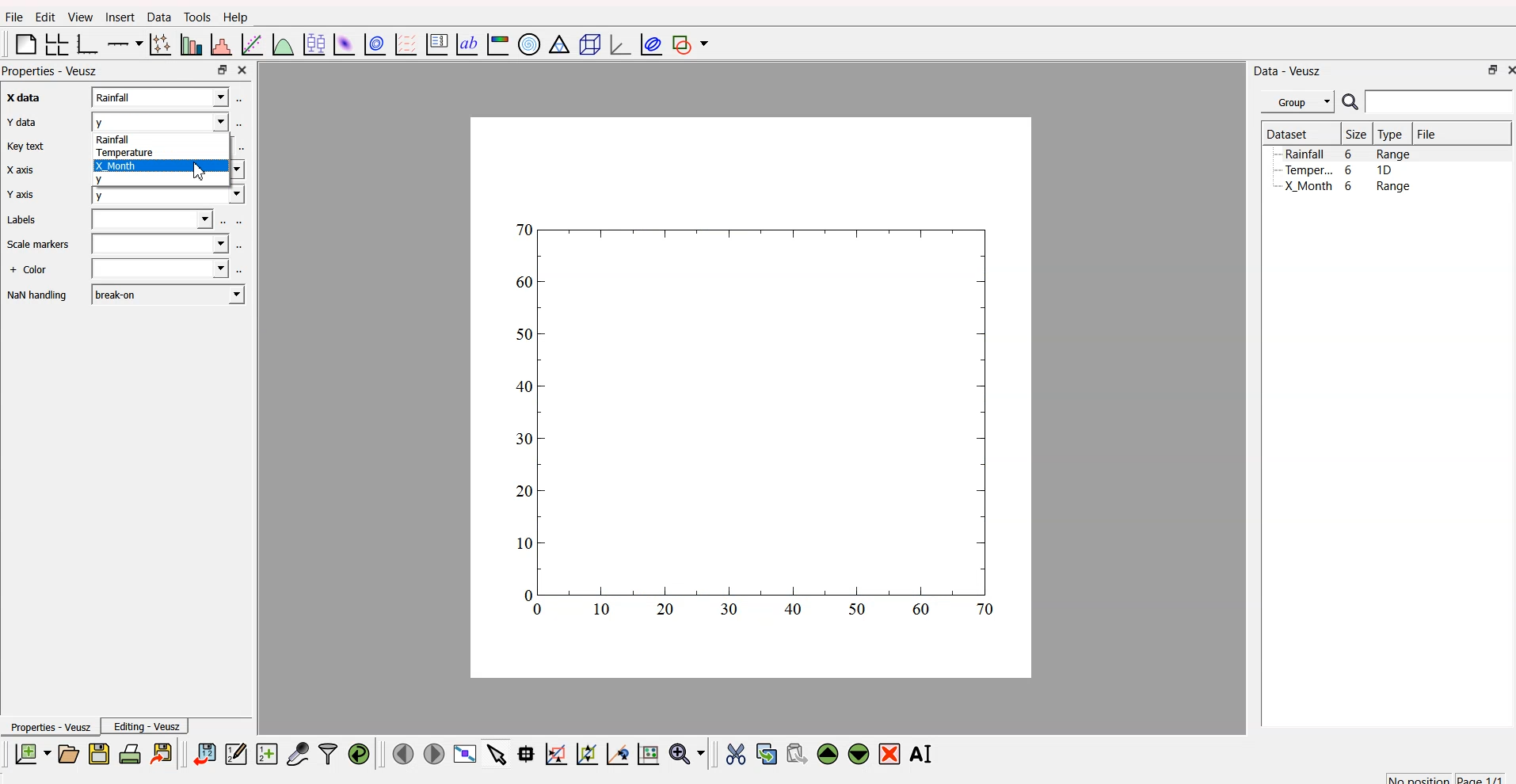 The image size is (1516, 784). Describe the element at coordinates (22, 170) in the screenshot. I see `X axis` at that location.